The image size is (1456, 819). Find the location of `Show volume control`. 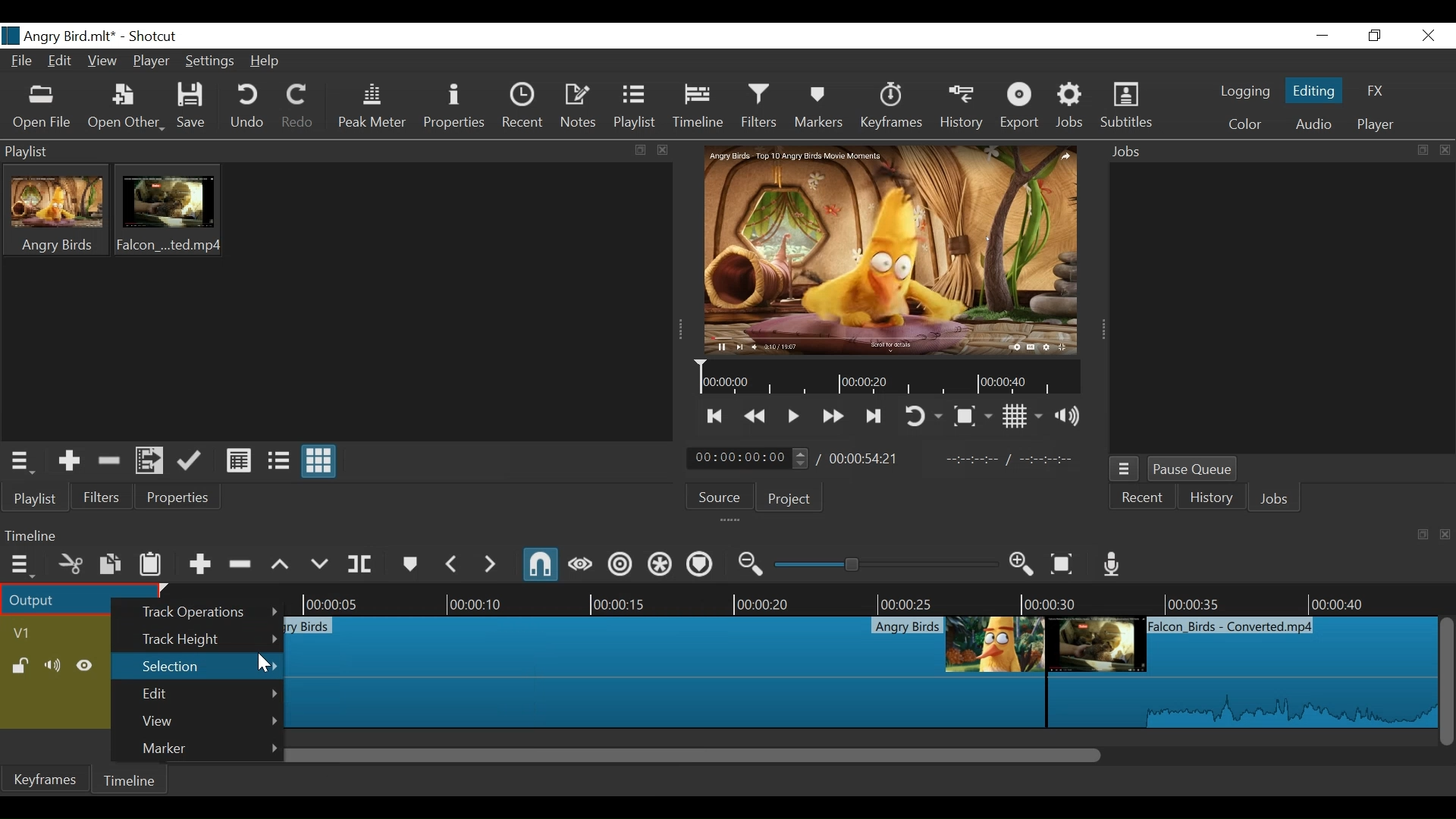

Show volume control is located at coordinates (1068, 418).